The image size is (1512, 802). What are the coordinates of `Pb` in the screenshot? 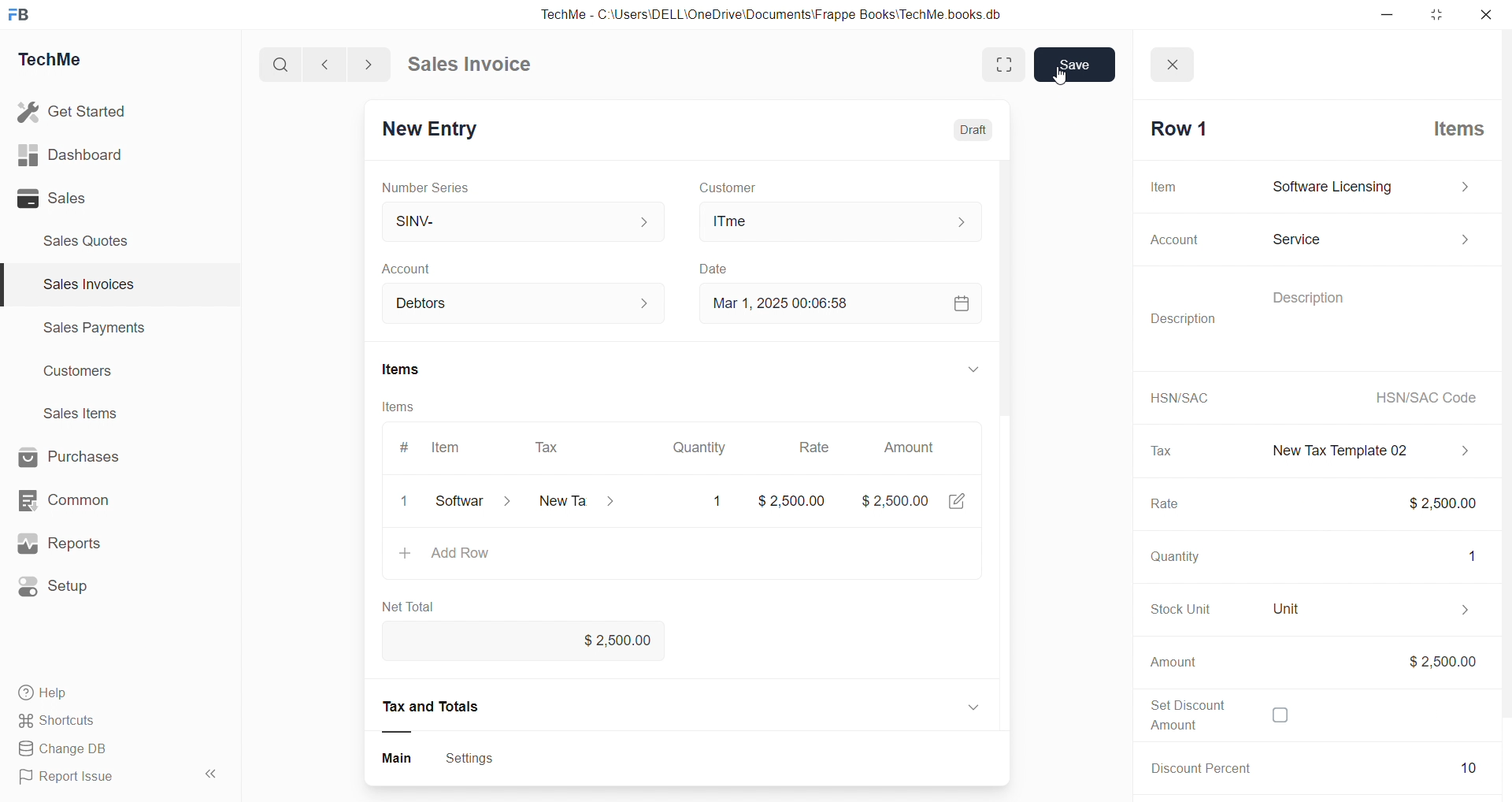 It's located at (1400, 768).